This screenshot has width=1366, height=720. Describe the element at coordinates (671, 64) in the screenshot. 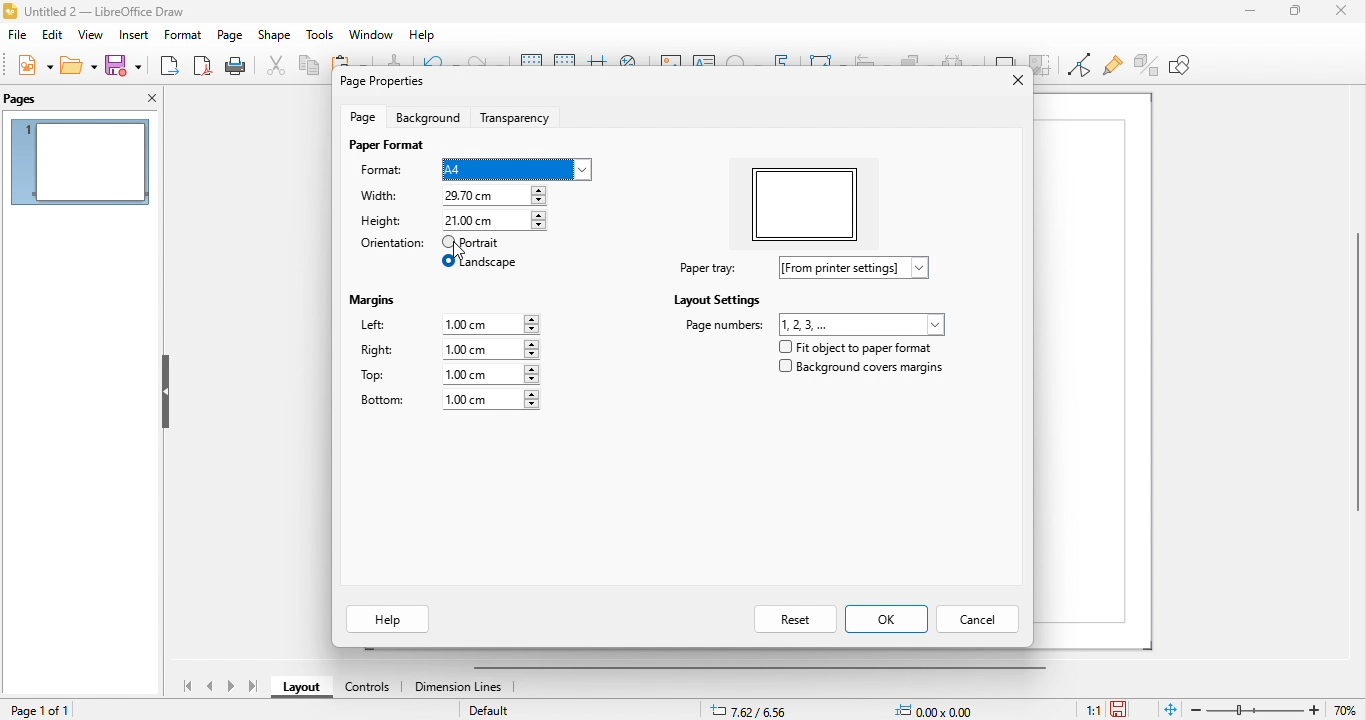

I see `image` at that location.